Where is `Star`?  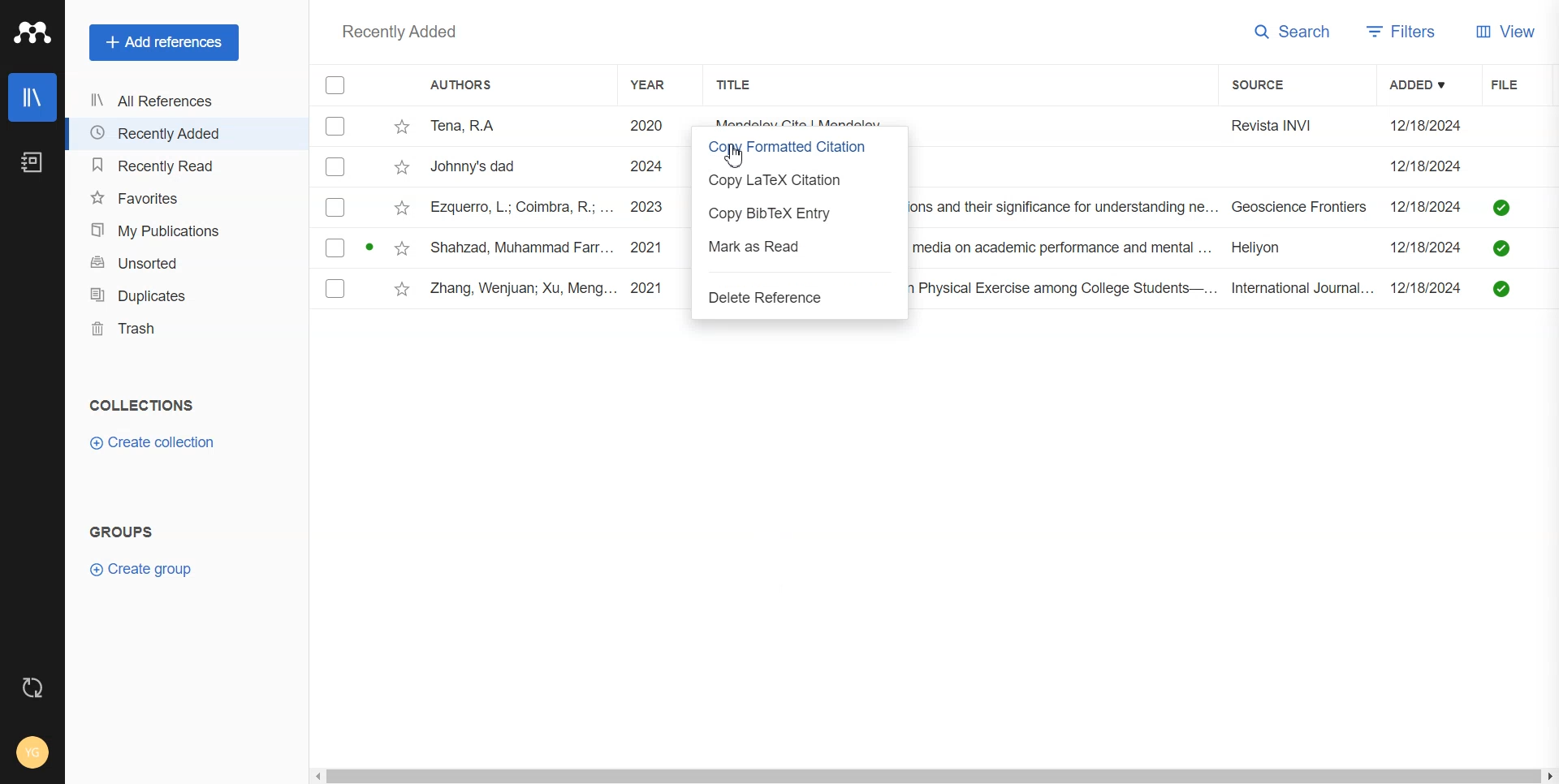 Star is located at coordinates (402, 207).